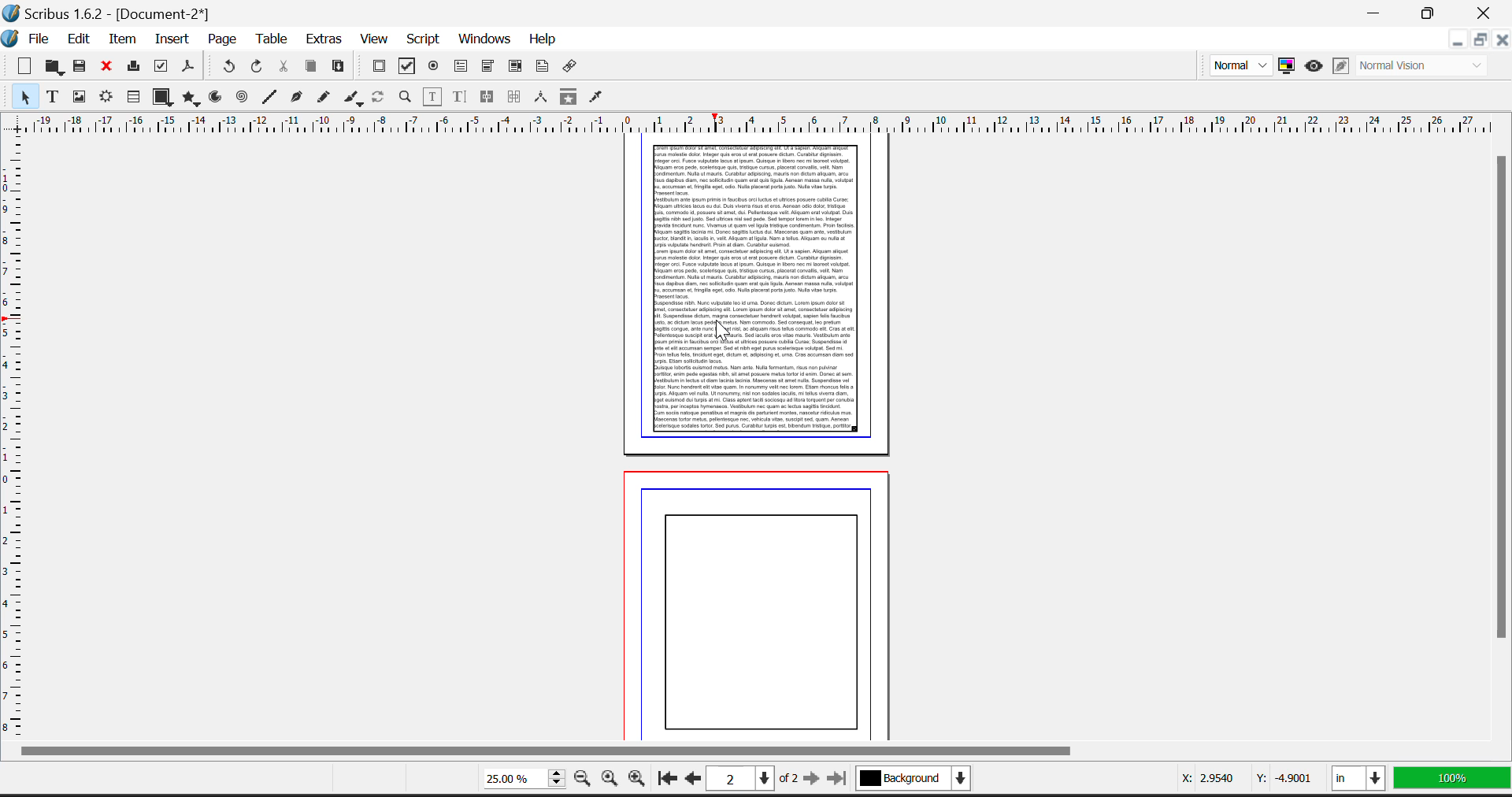 The height and width of the screenshot is (797, 1512). Describe the element at coordinates (53, 98) in the screenshot. I see `Text Frames` at that location.